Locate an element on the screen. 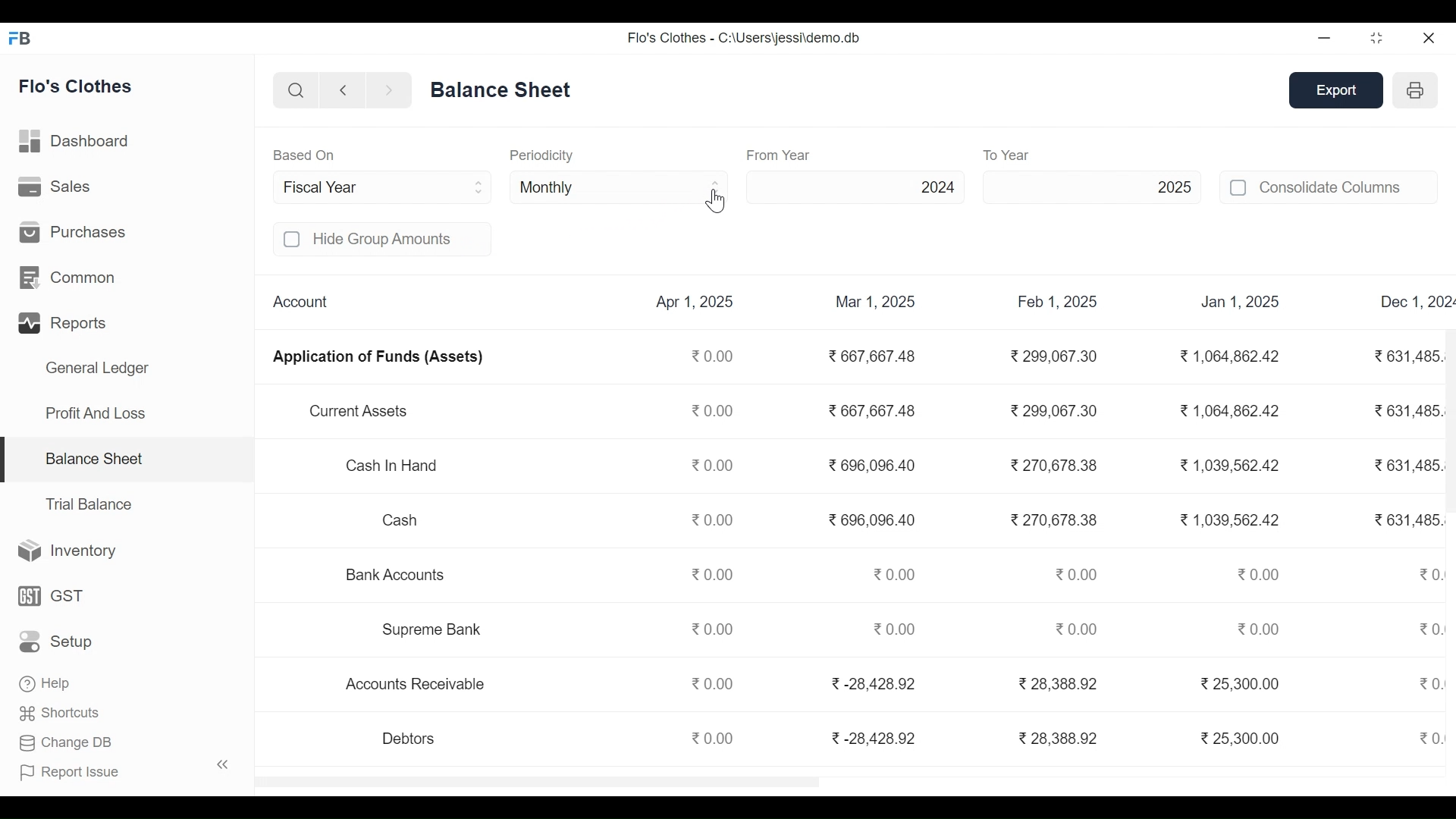  search is located at coordinates (297, 92).